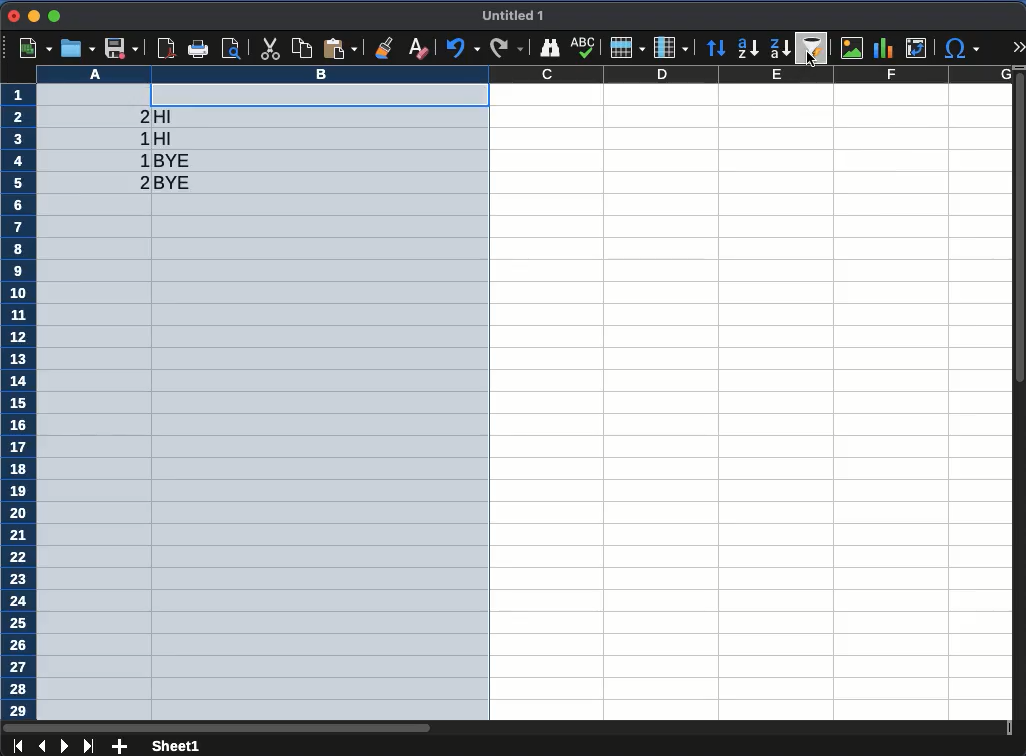 The width and height of the screenshot is (1026, 756). Describe the element at coordinates (13, 16) in the screenshot. I see `close` at that location.